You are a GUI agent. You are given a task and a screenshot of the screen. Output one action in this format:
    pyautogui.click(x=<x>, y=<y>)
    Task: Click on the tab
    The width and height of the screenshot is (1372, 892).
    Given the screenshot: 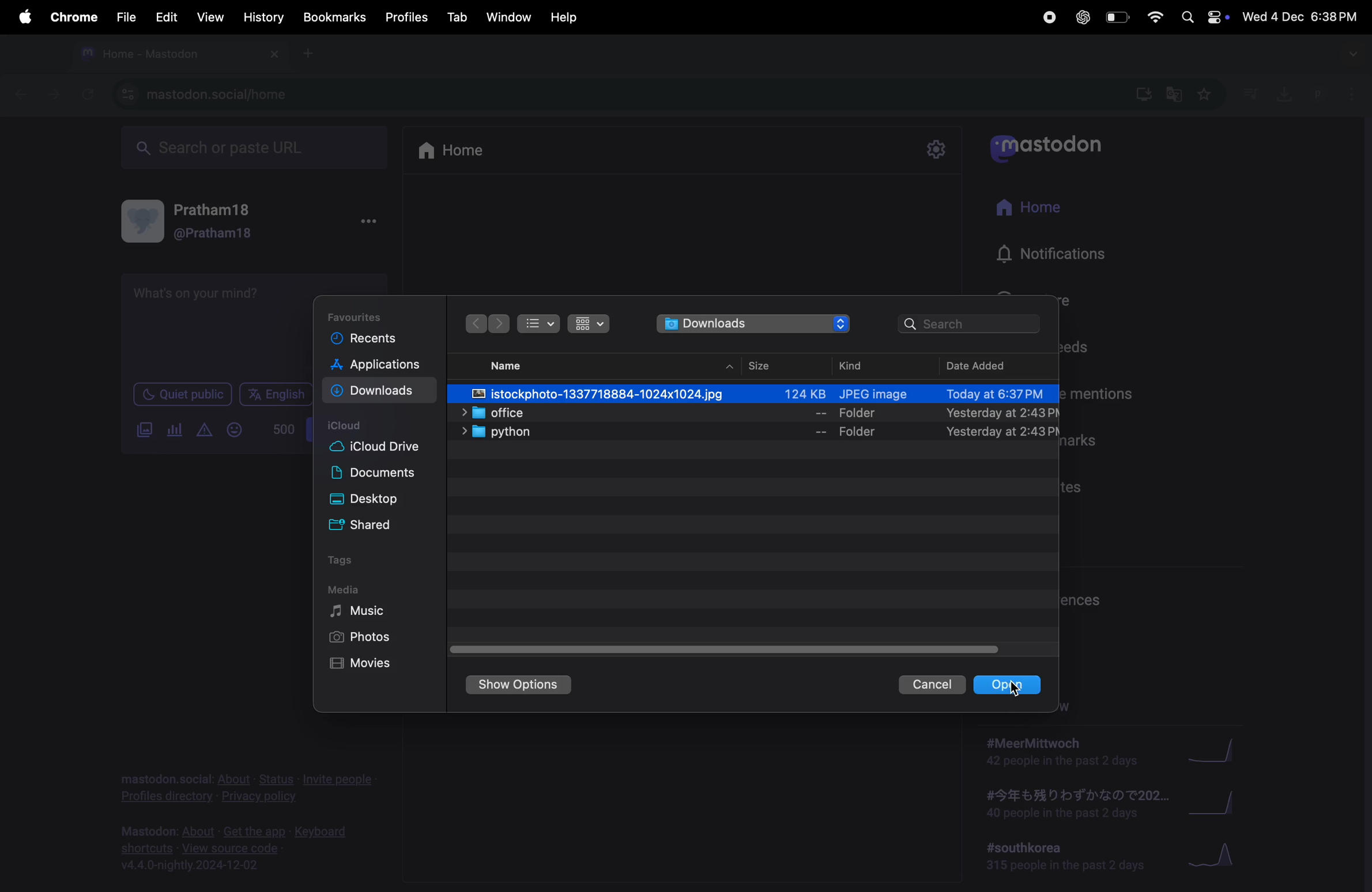 What is the action you would take?
    pyautogui.click(x=457, y=17)
    